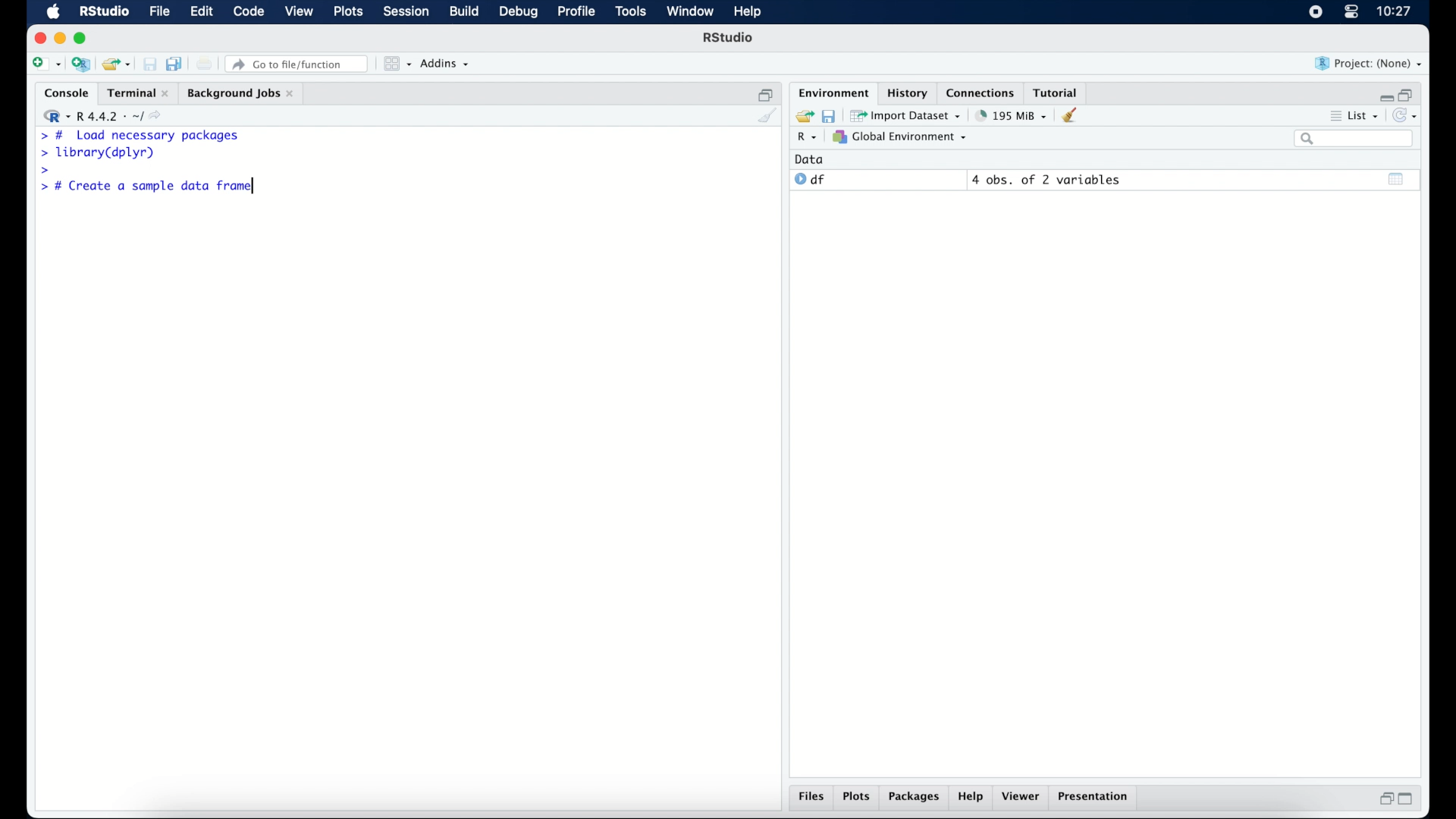  Describe the element at coordinates (300, 13) in the screenshot. I see `view` at that location.